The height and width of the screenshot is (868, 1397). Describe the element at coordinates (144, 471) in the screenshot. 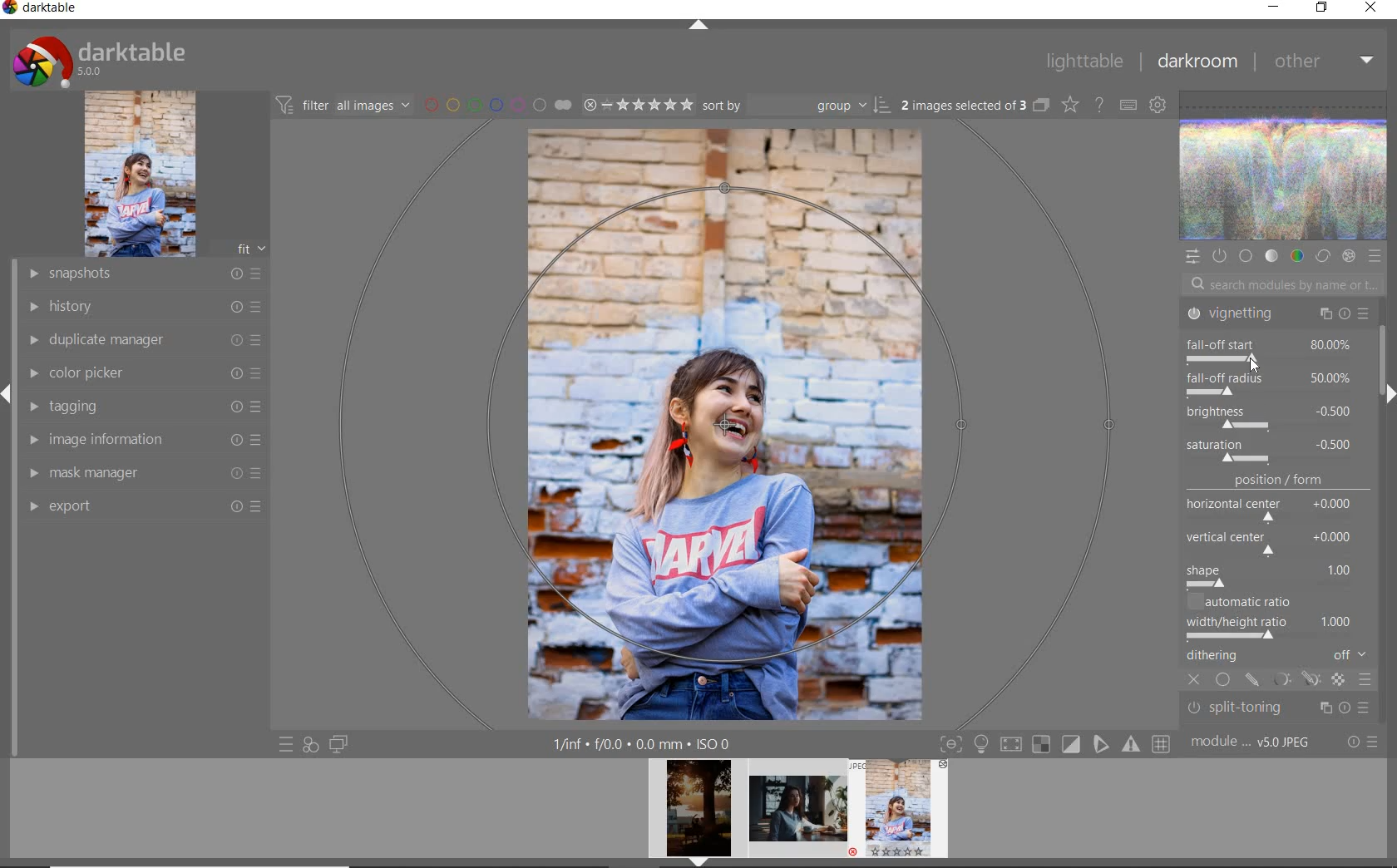

I see `mask manager` at that location.